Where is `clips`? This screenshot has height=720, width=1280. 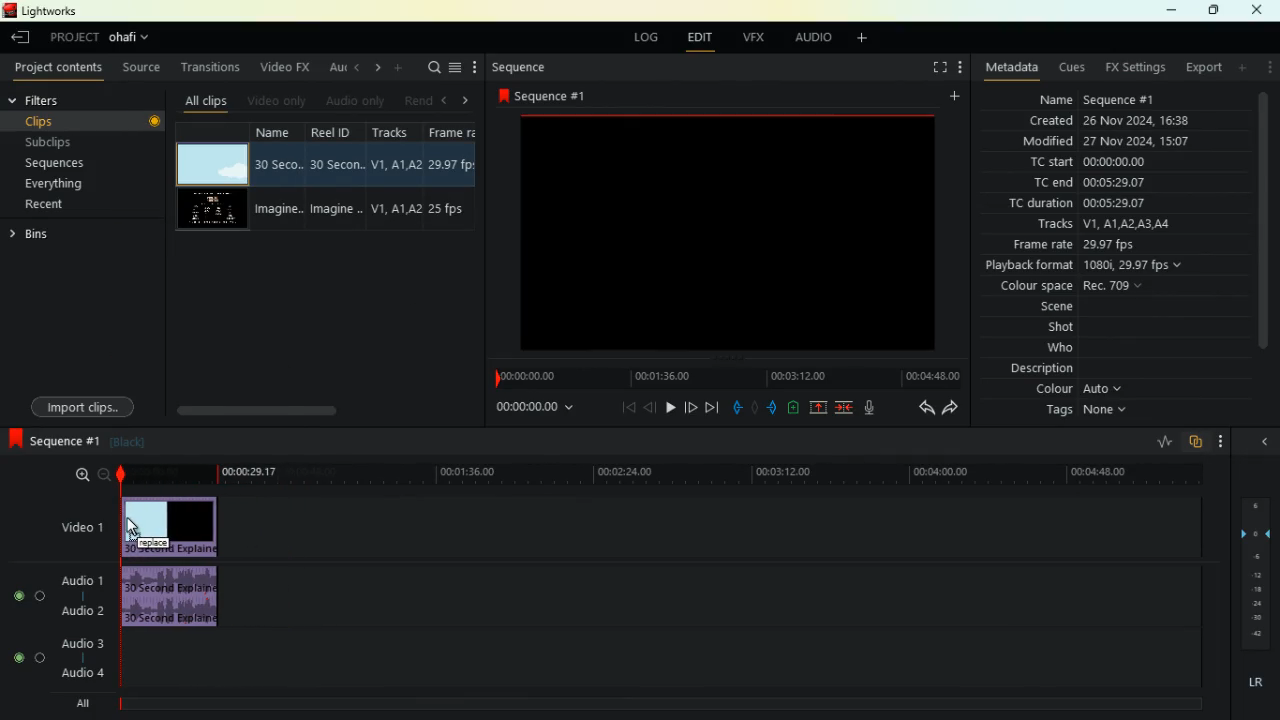 clips is located at coordinates (91, 122).